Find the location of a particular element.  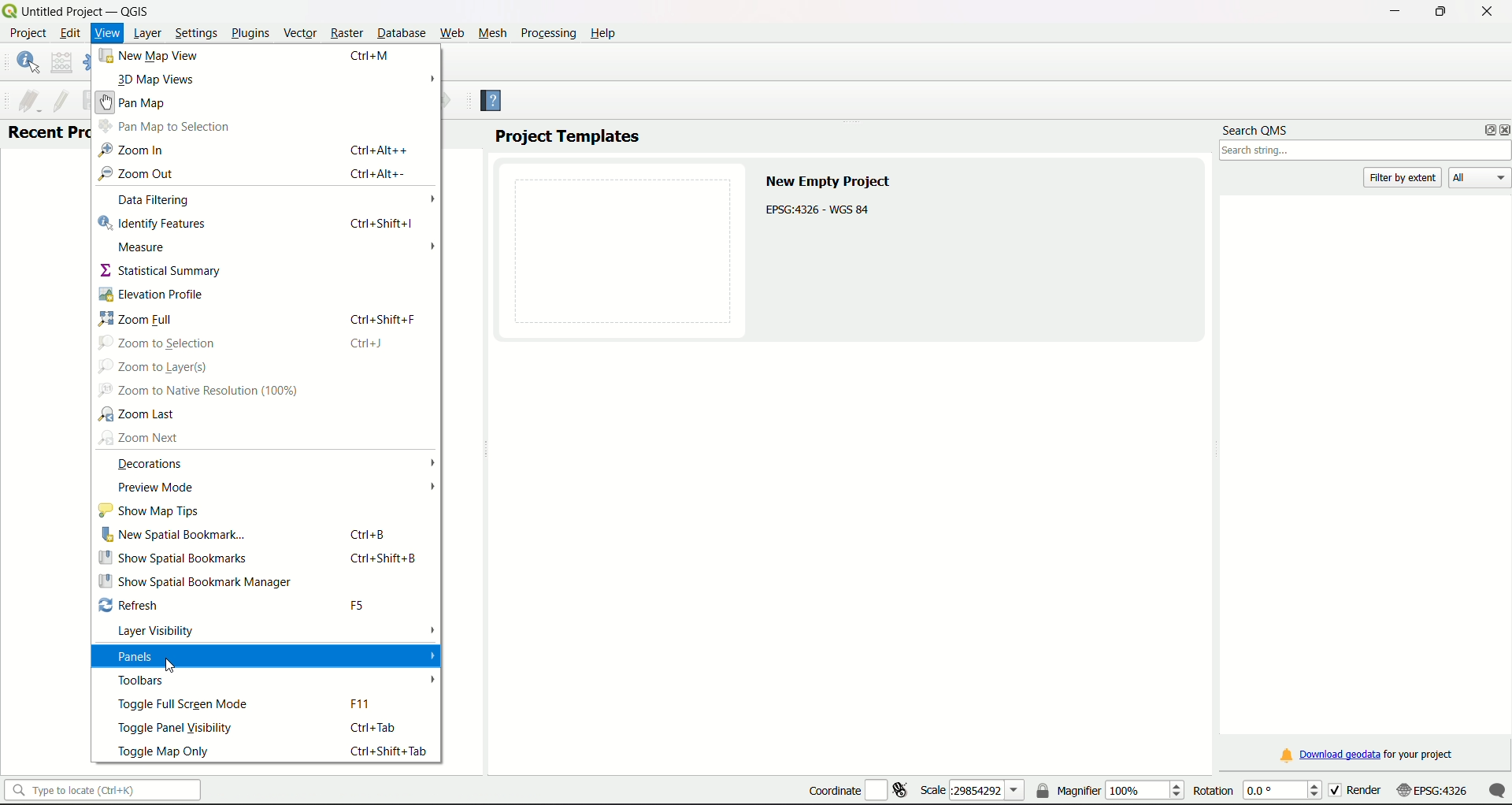

ctrl+B is located at coordinates (369, 534).